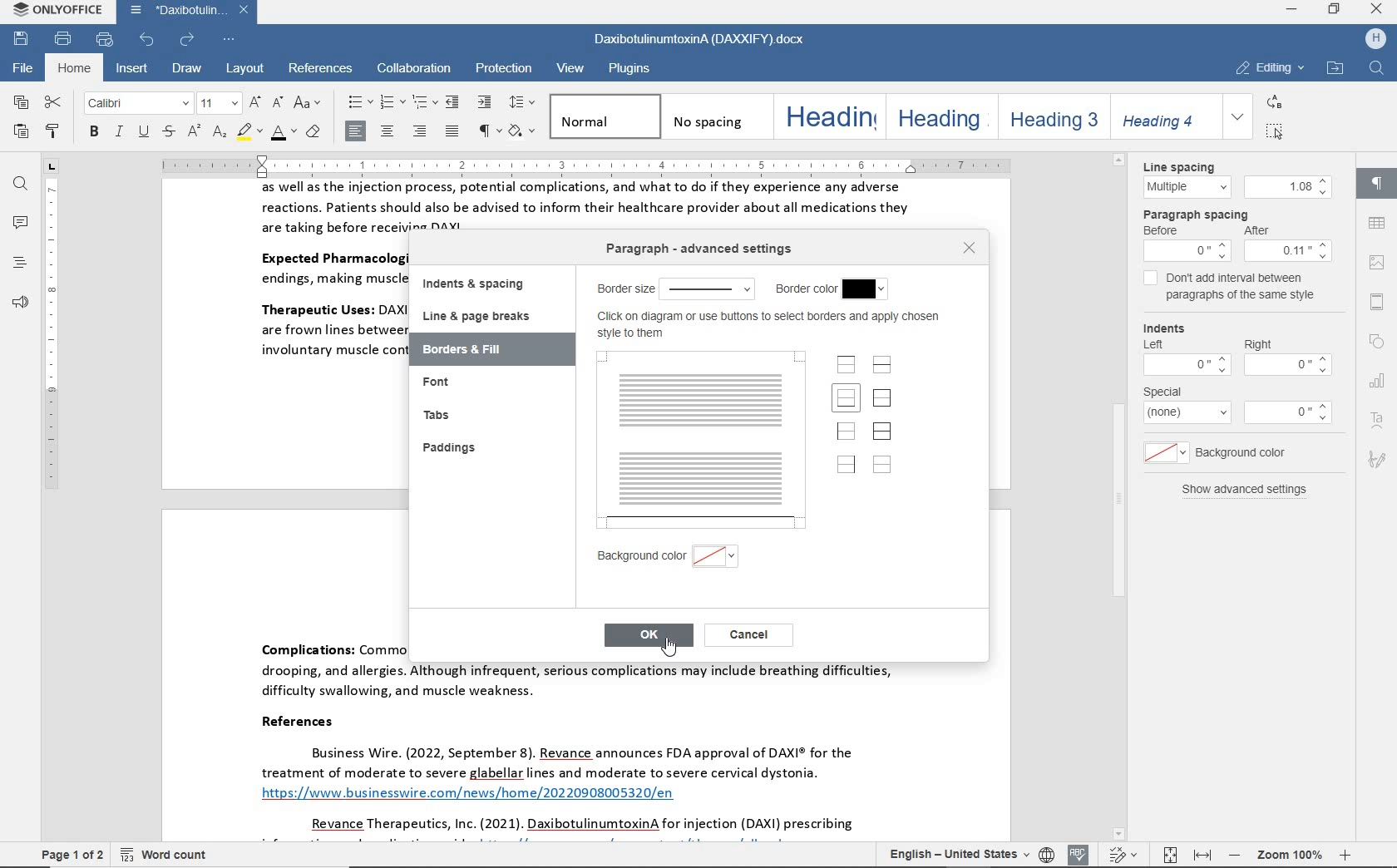 The width and height of the screenshot is (1397, 868). Describe the element at coordinates (313, 134) in the screenshot. I see `clear style` at that location.